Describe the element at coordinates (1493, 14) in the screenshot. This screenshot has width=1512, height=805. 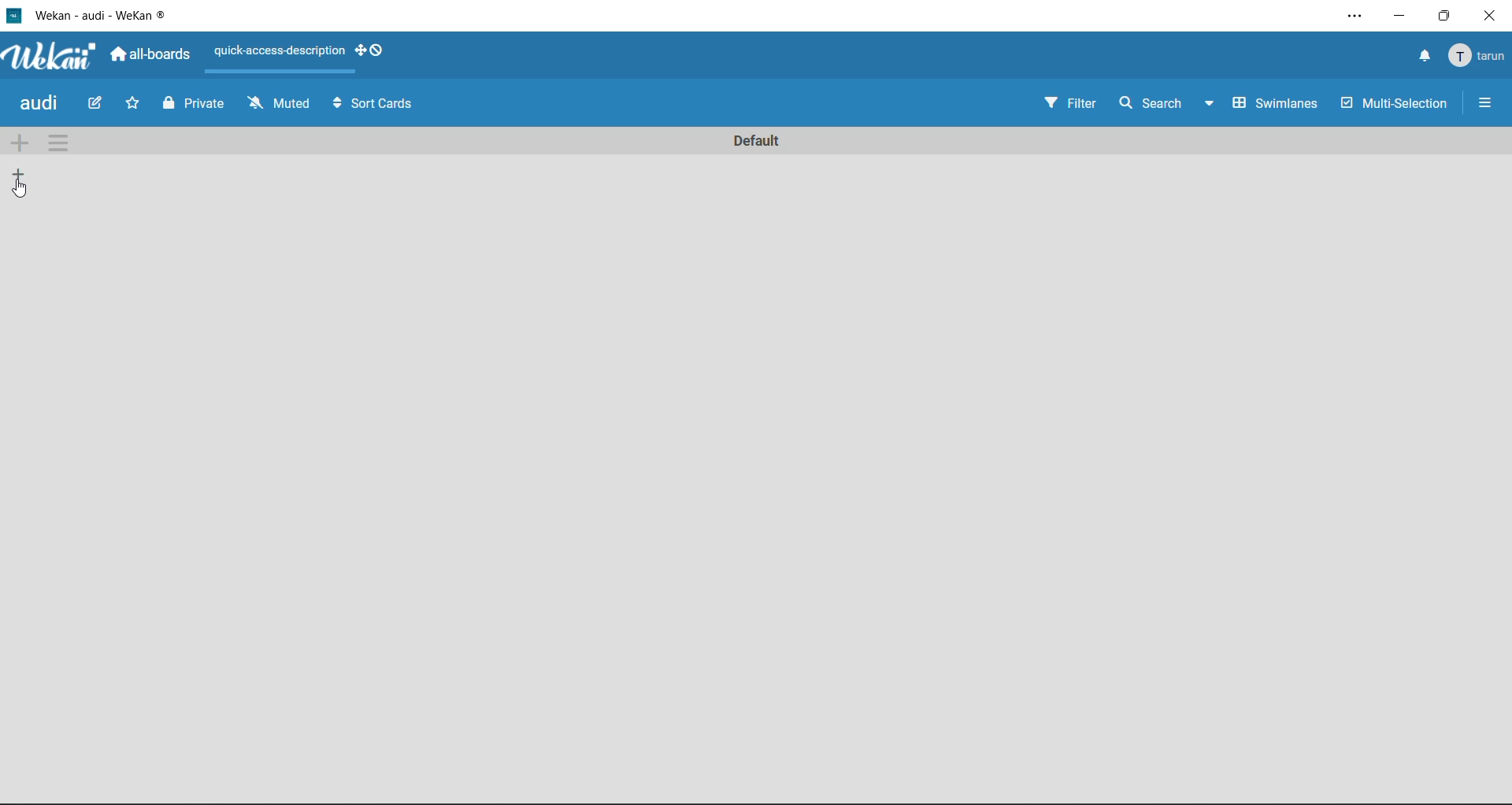
I see `close` at that location.